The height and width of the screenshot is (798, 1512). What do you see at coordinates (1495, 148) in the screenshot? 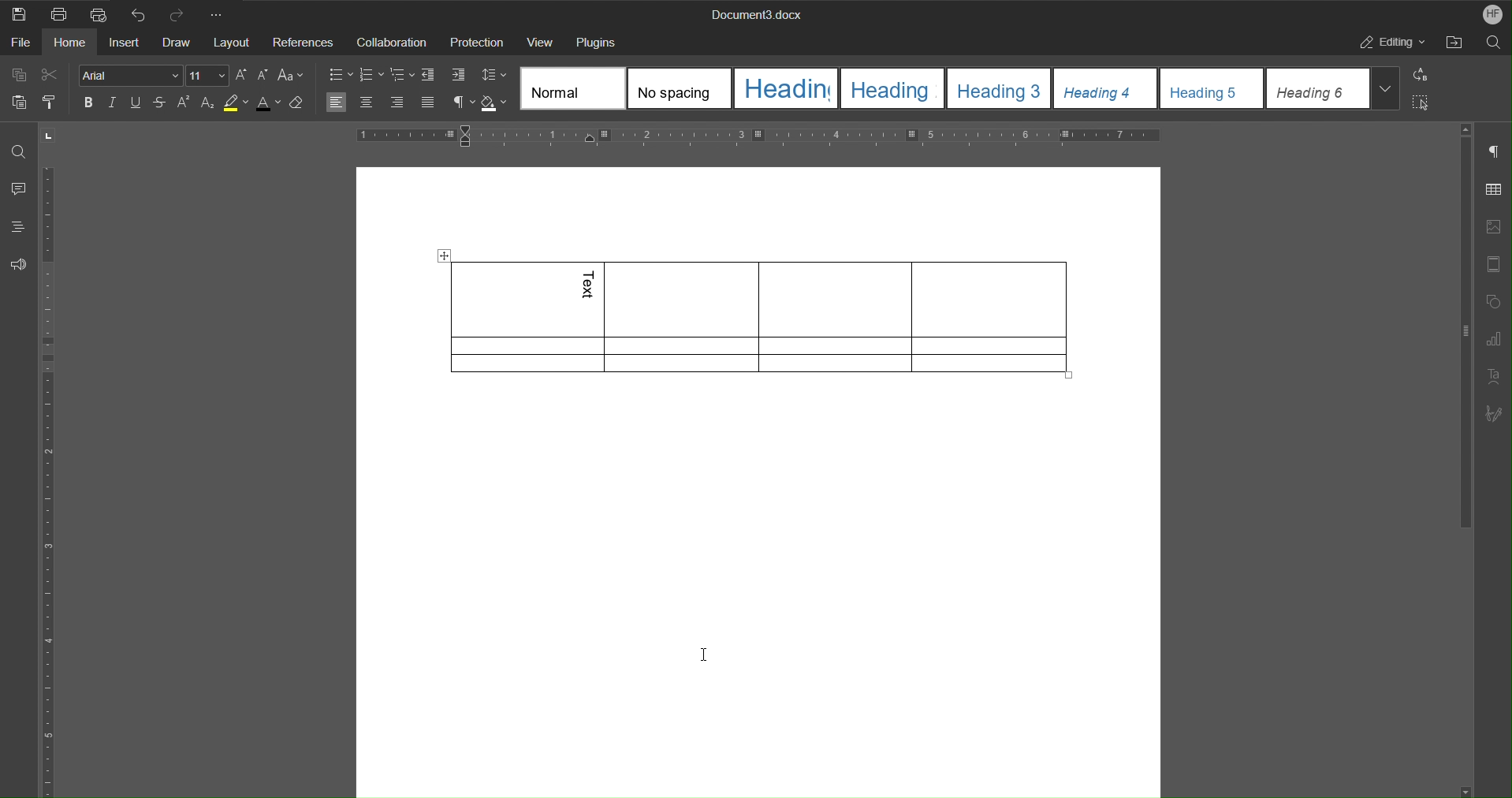
I see `Paragraph Settings` at bounding box center [1495, 148].